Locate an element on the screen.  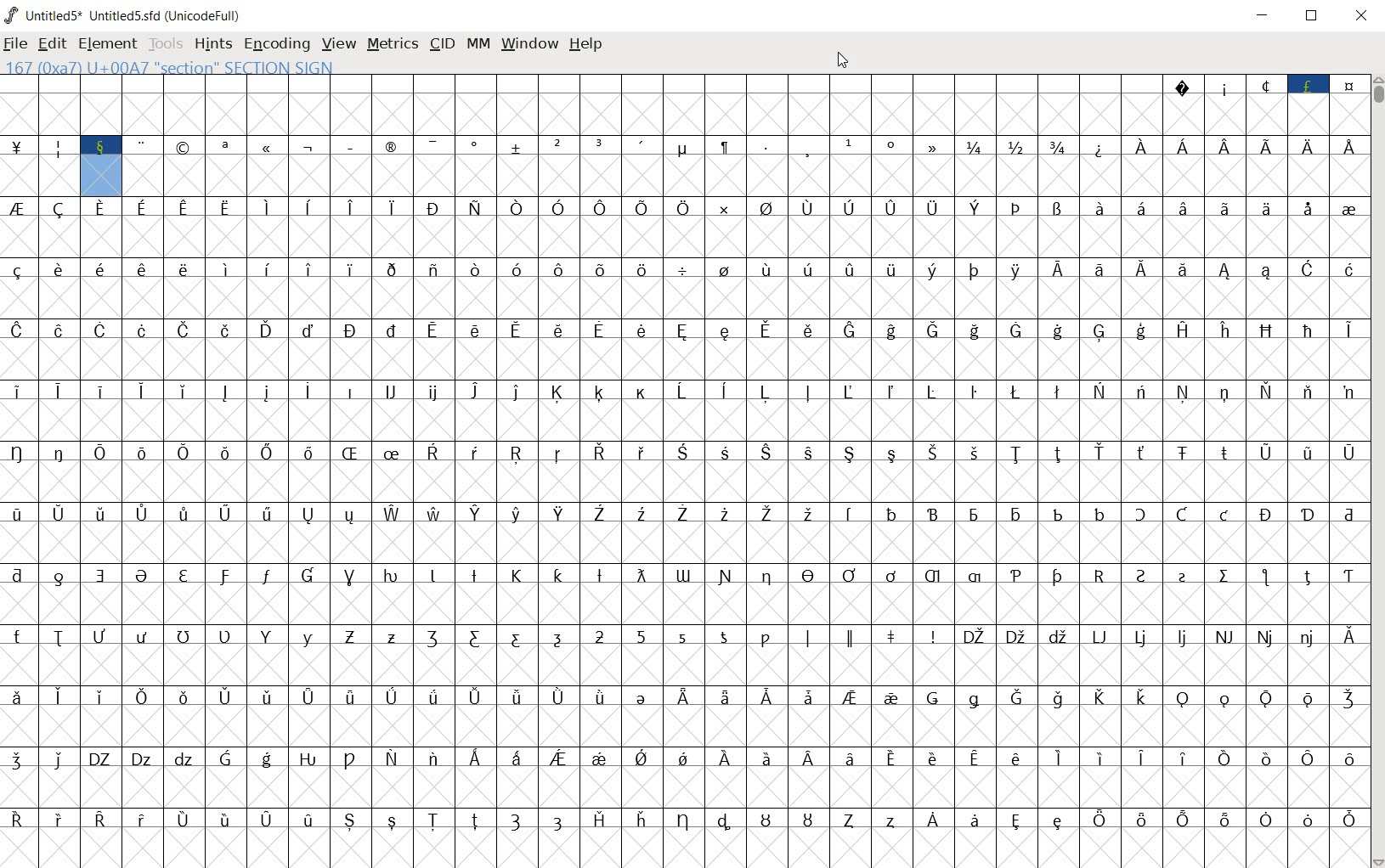
slot is located at coordinates (578, 104).